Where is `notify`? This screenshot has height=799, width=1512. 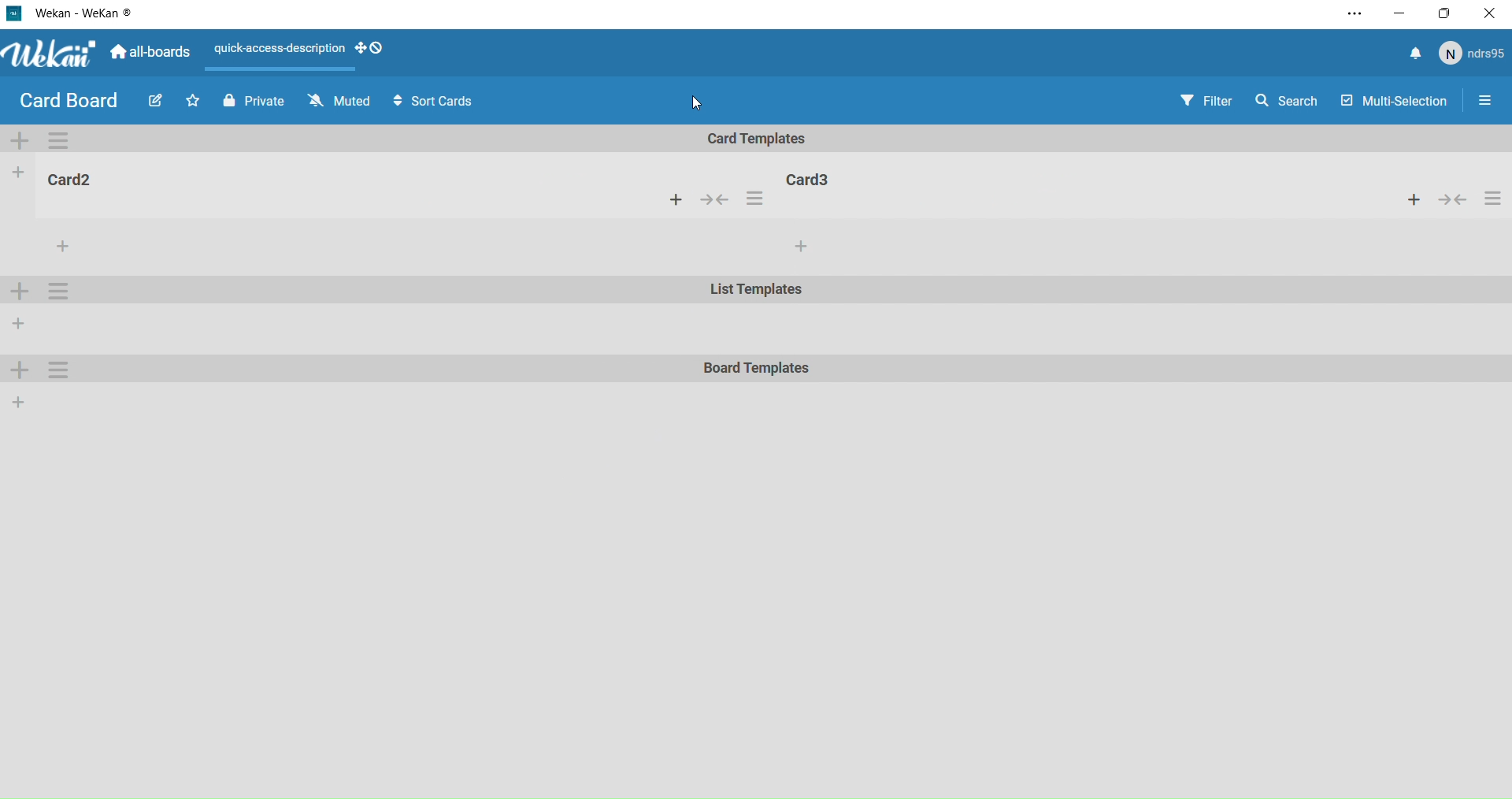 notify is located at coordinates (1414, 55).